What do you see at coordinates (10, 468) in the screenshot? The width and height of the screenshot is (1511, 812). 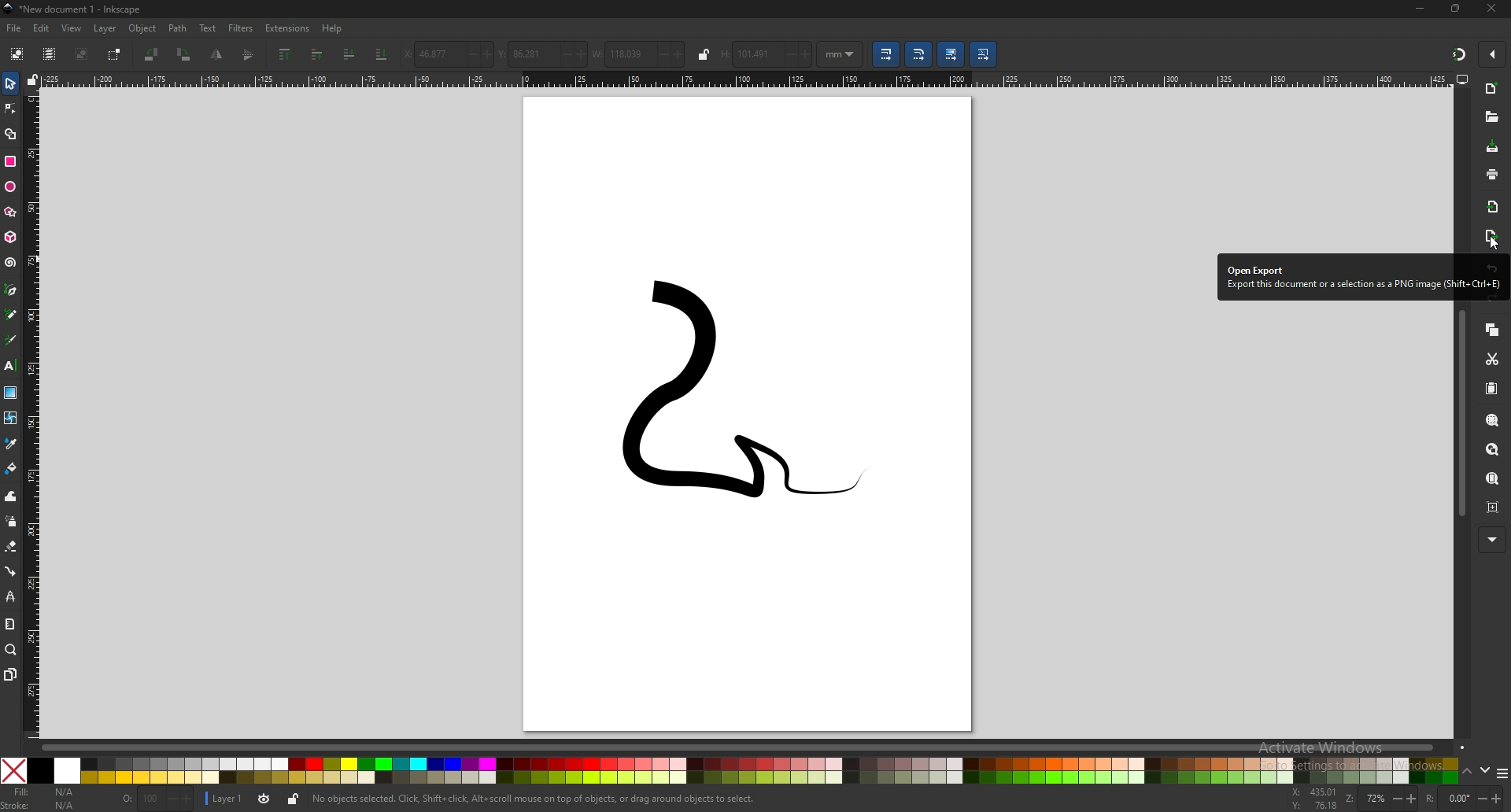 I see `paint bucket` at bounding box center [10, 468].